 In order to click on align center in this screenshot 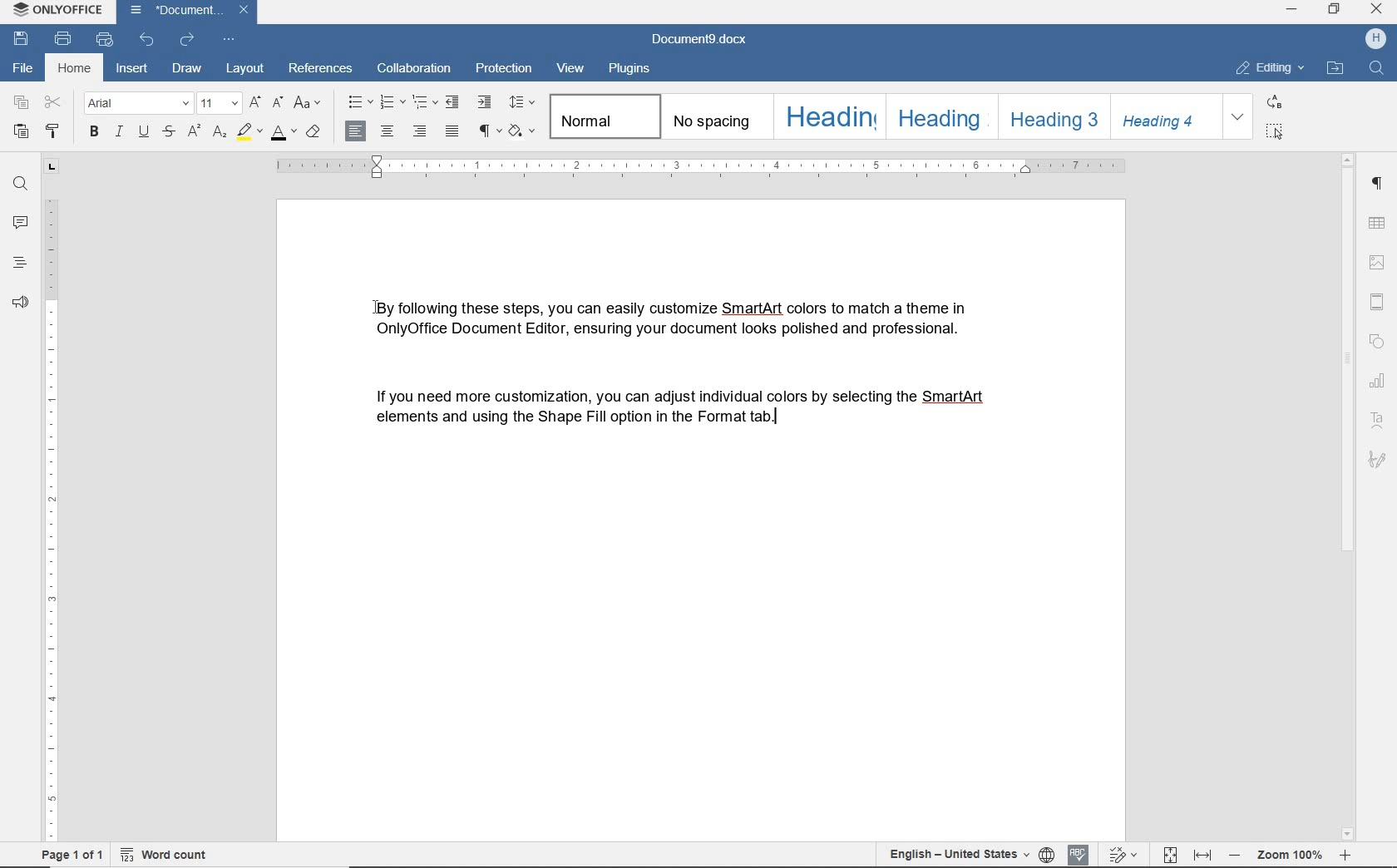, I will do `click(388, 131)`.